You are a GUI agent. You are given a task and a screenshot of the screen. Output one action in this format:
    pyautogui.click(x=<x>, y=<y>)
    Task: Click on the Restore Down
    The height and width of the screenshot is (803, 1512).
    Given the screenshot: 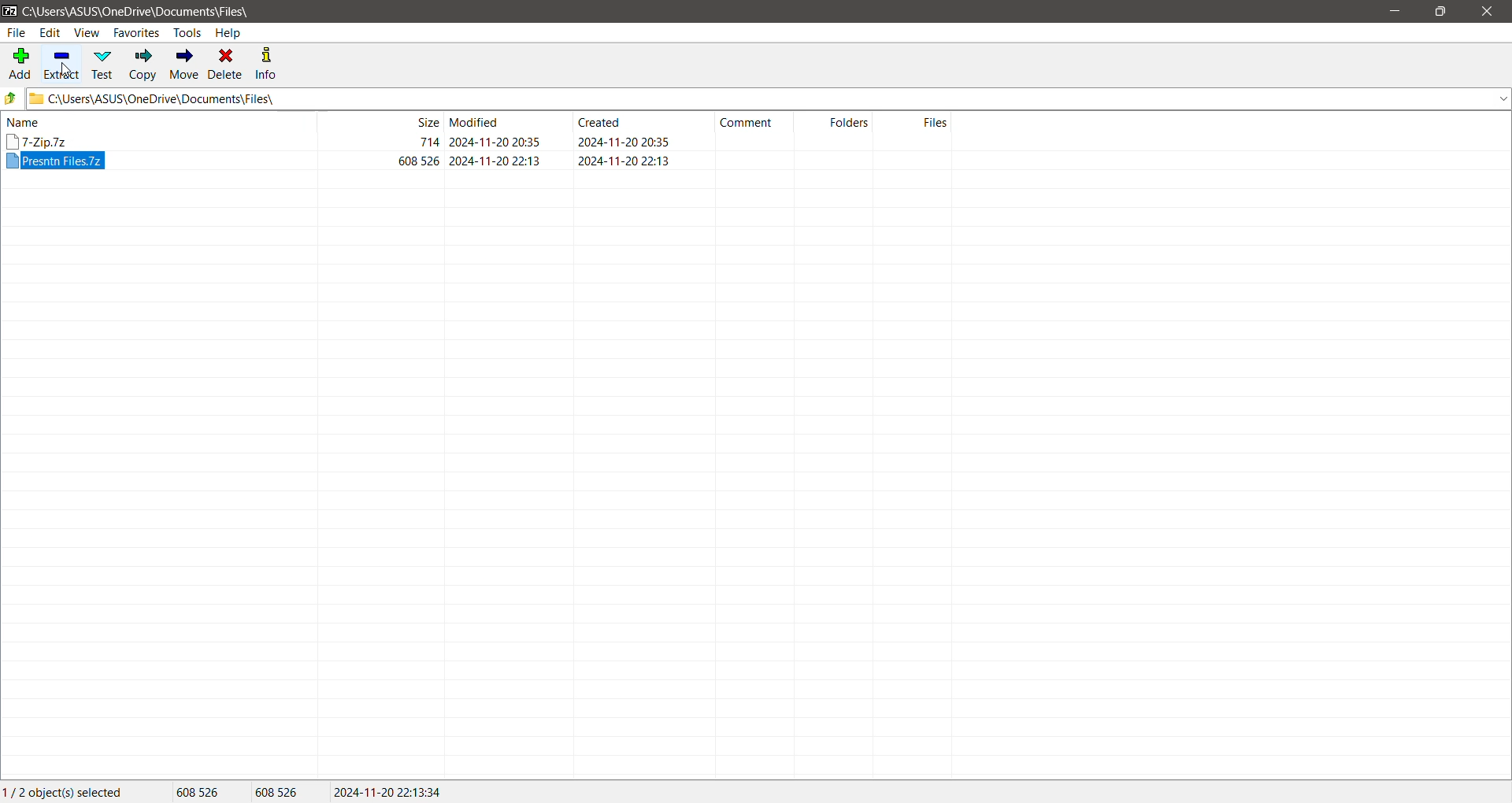 What is the action you would take?
    pyautogui.click(x=1440, y=12)
    